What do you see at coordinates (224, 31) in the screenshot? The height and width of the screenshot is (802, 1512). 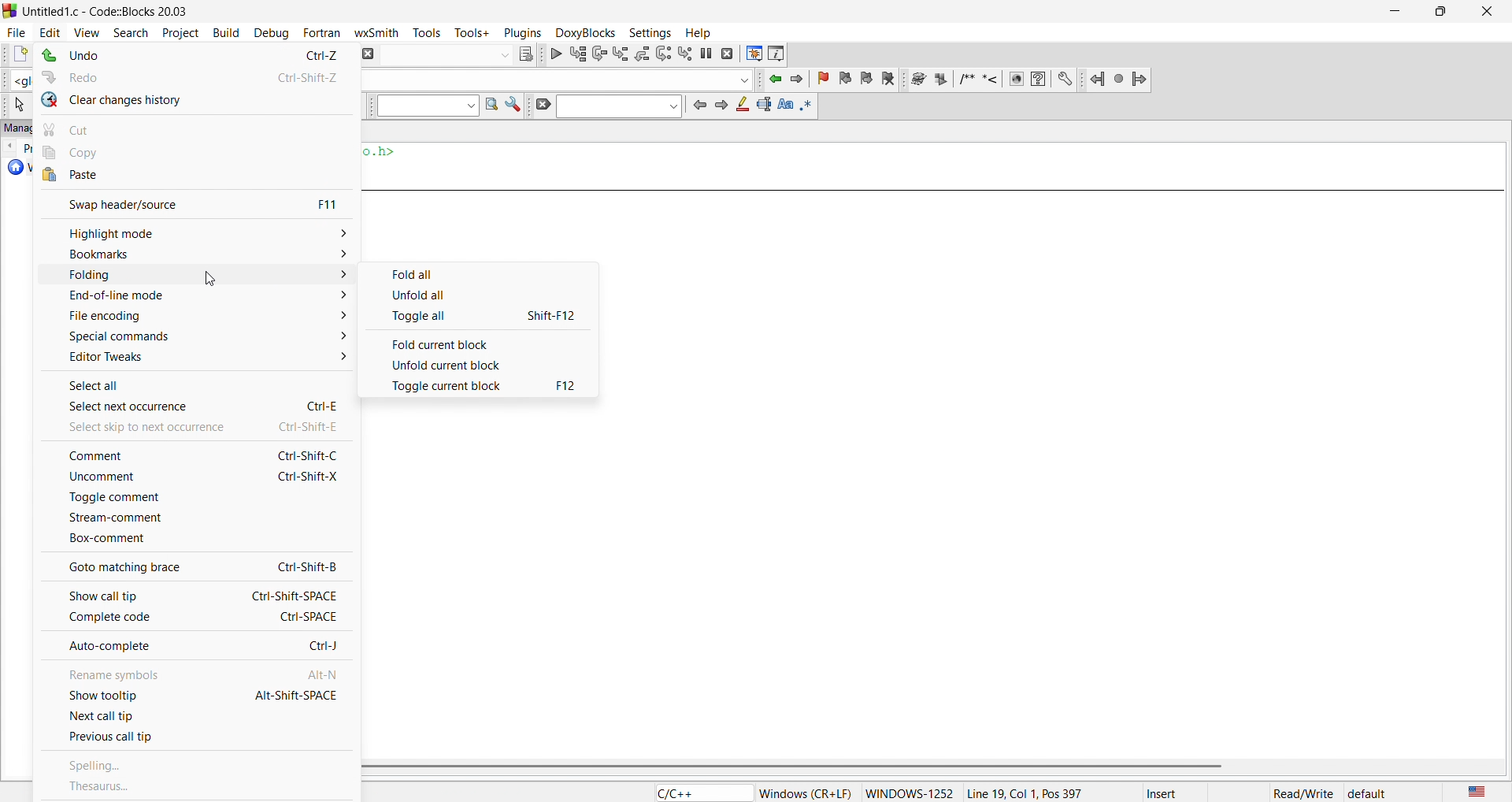 I see `build` at bounding box center [224, 31].